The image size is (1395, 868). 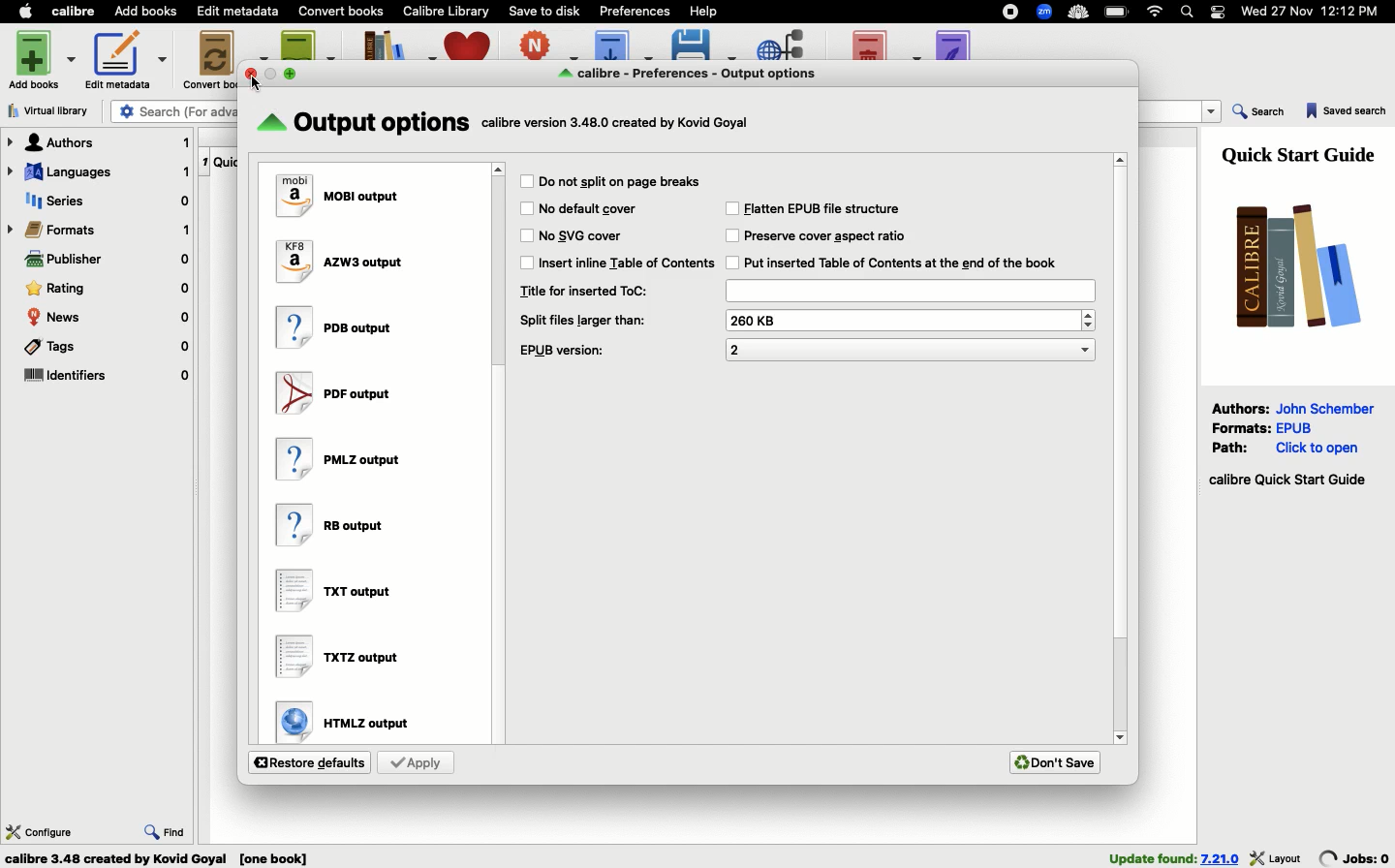 What do you see at coordinates (1277, 857) in the screenshot?
I see `layout` at bounding box center [1277, 857].